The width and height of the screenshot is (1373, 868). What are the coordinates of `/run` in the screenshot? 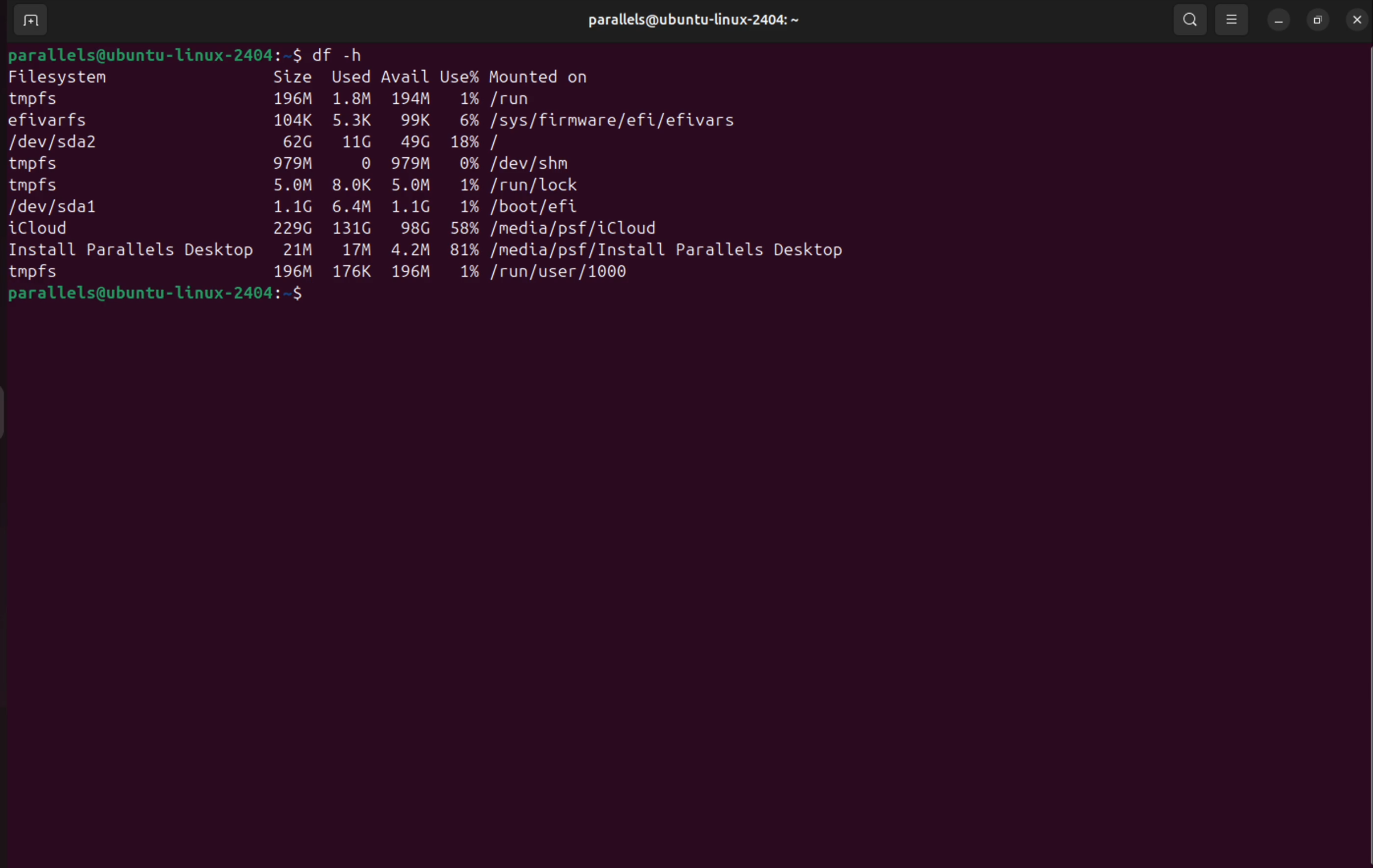 It's located at (534, 101).